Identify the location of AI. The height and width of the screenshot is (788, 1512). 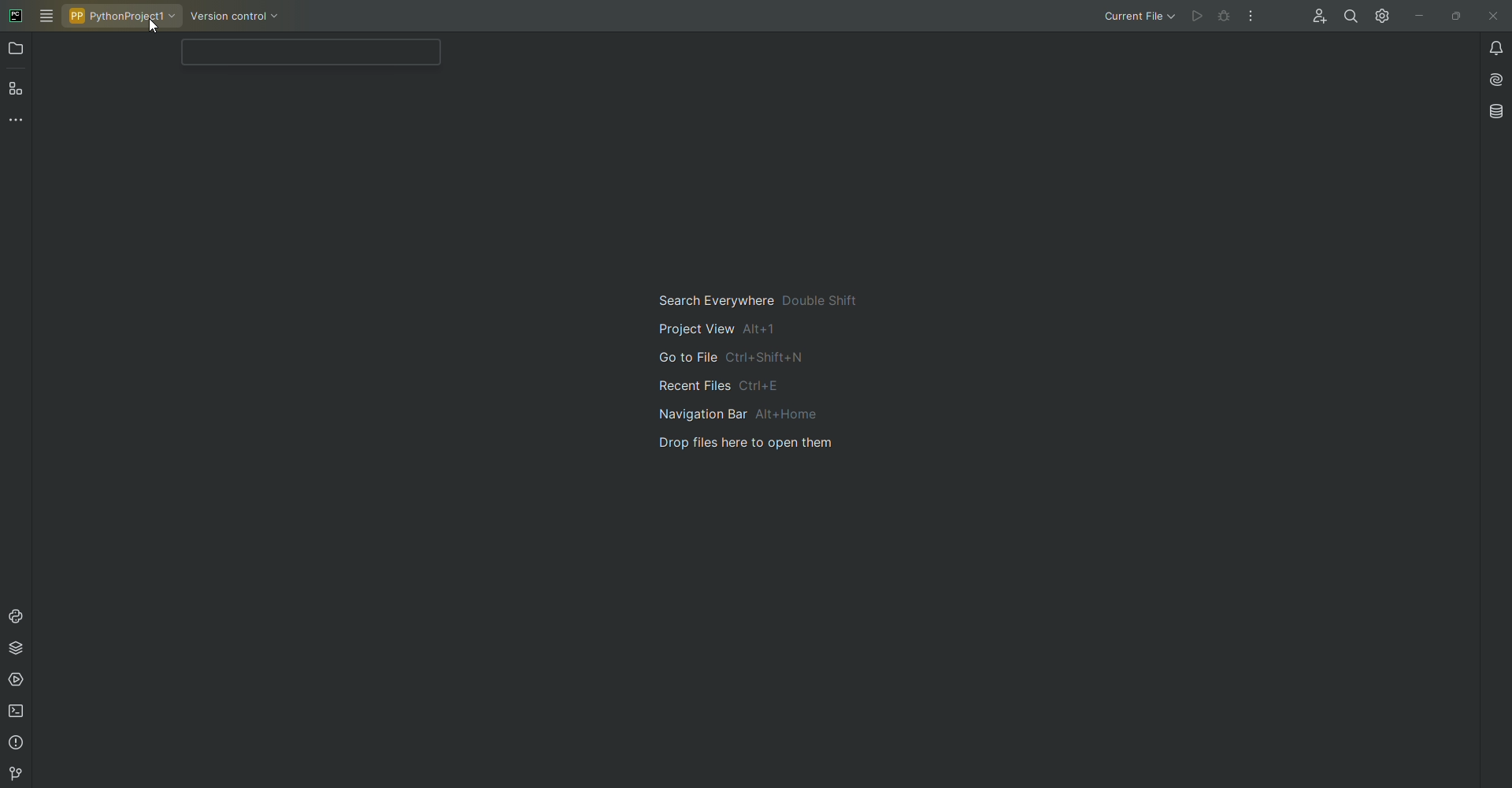
(1493, 80).